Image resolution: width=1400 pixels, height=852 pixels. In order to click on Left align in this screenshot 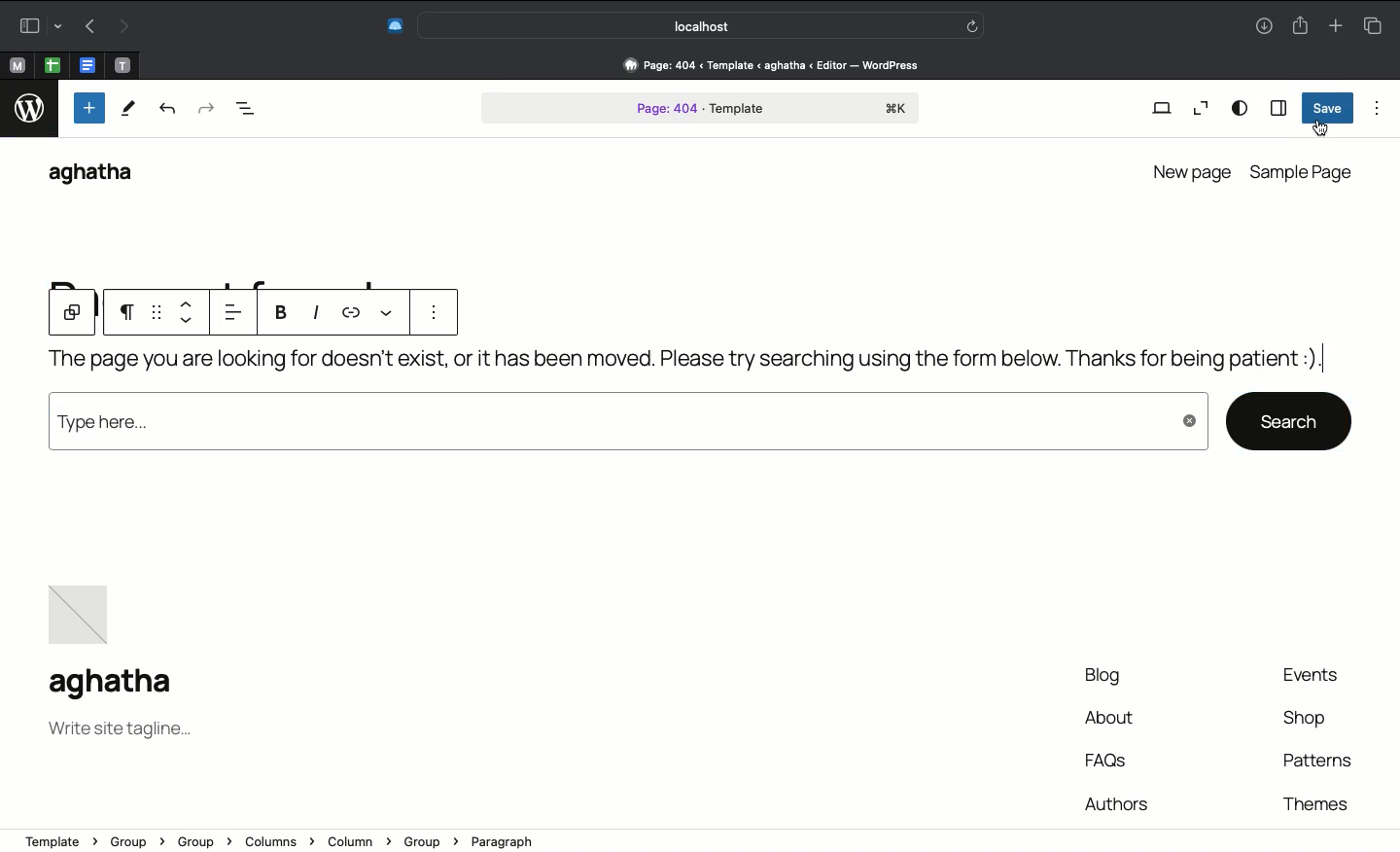, I will do `click(238, 313)`.